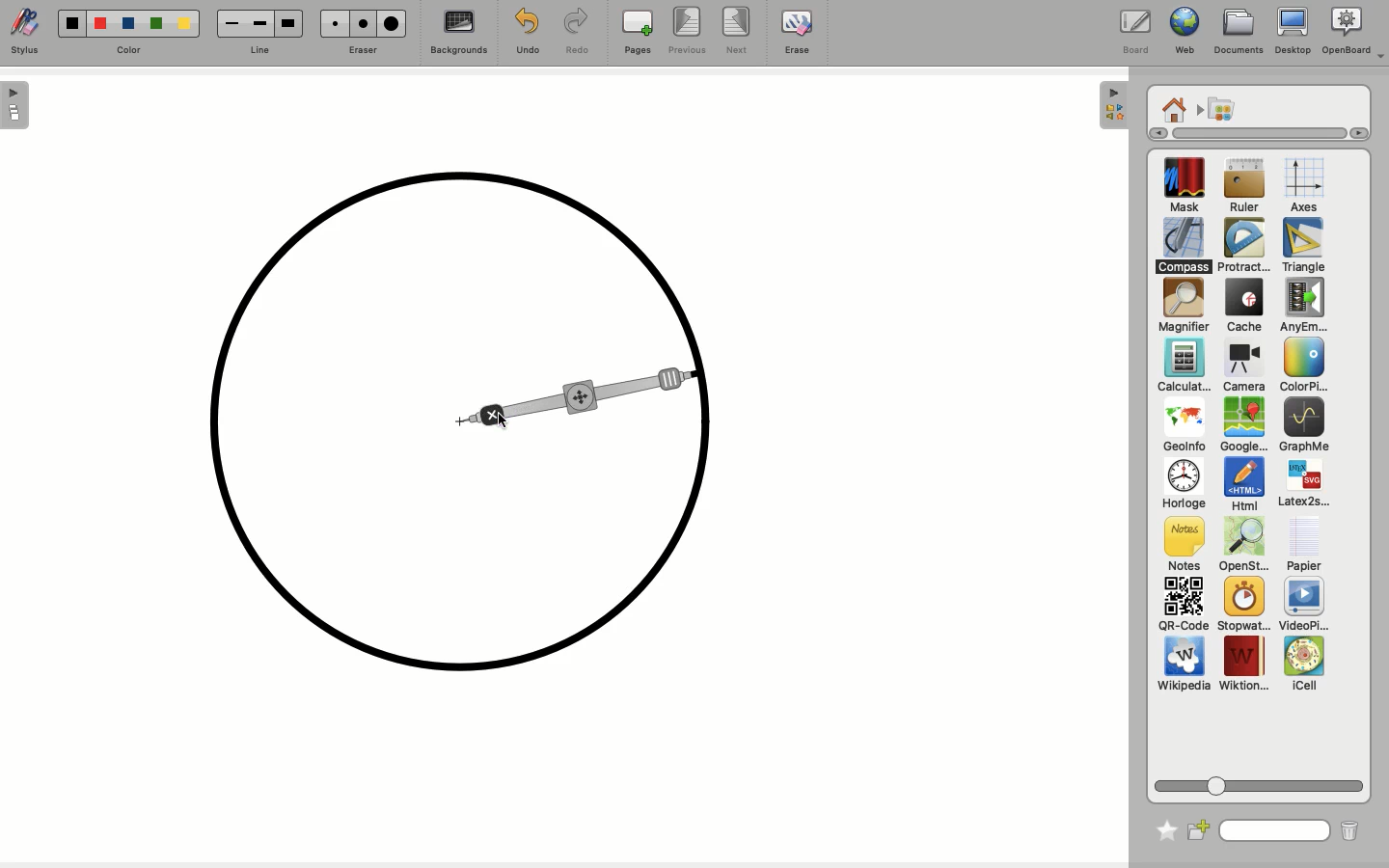 The height and width of the screenshot is (868, 1389). Describe the element at coordinates (1300, 366) in the screenshot. I see `Color` at that location.